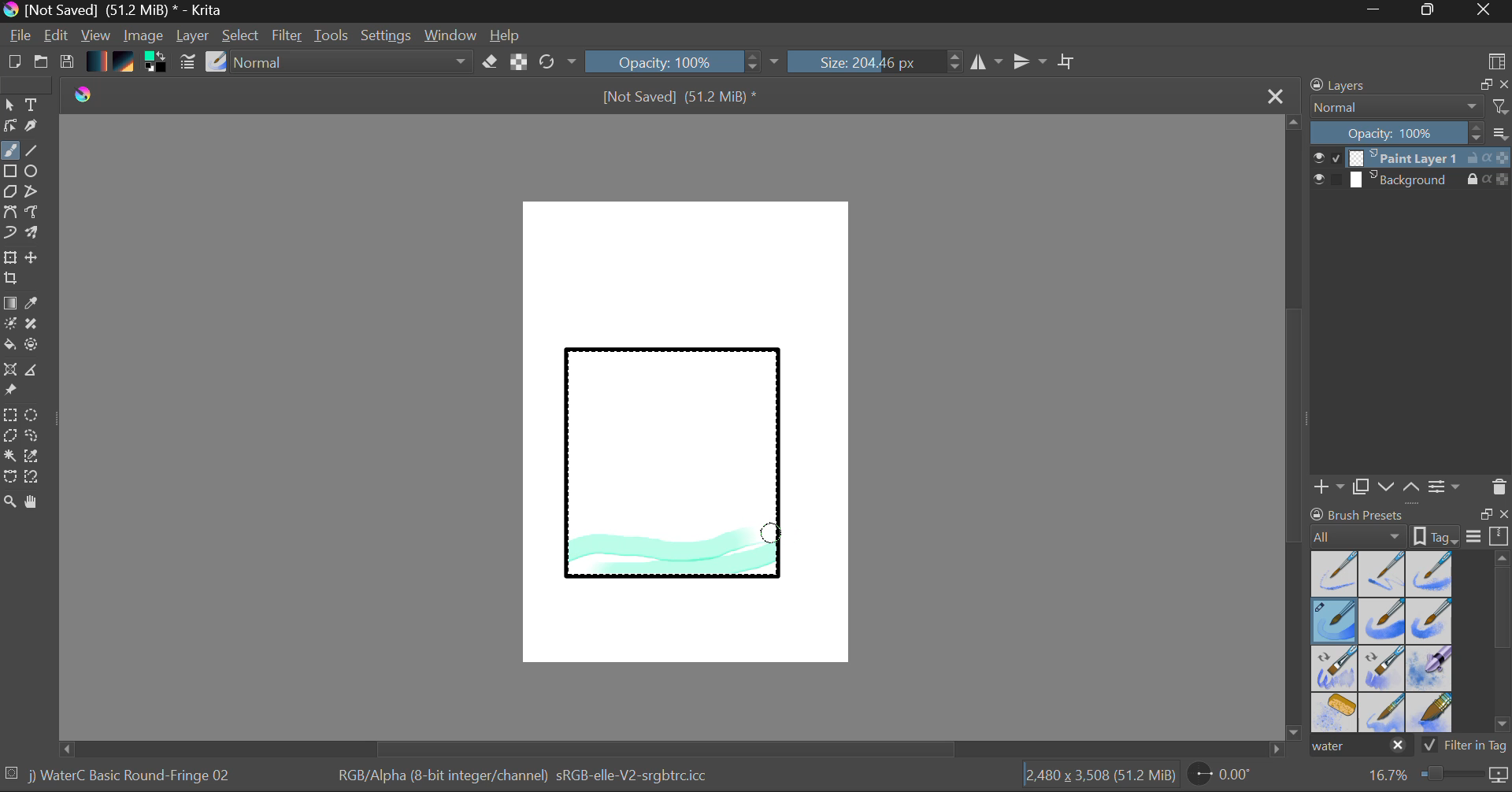 The height and width of the screenshot is (792, 1512). I want to click on Brush Selected, so click(132, 777).